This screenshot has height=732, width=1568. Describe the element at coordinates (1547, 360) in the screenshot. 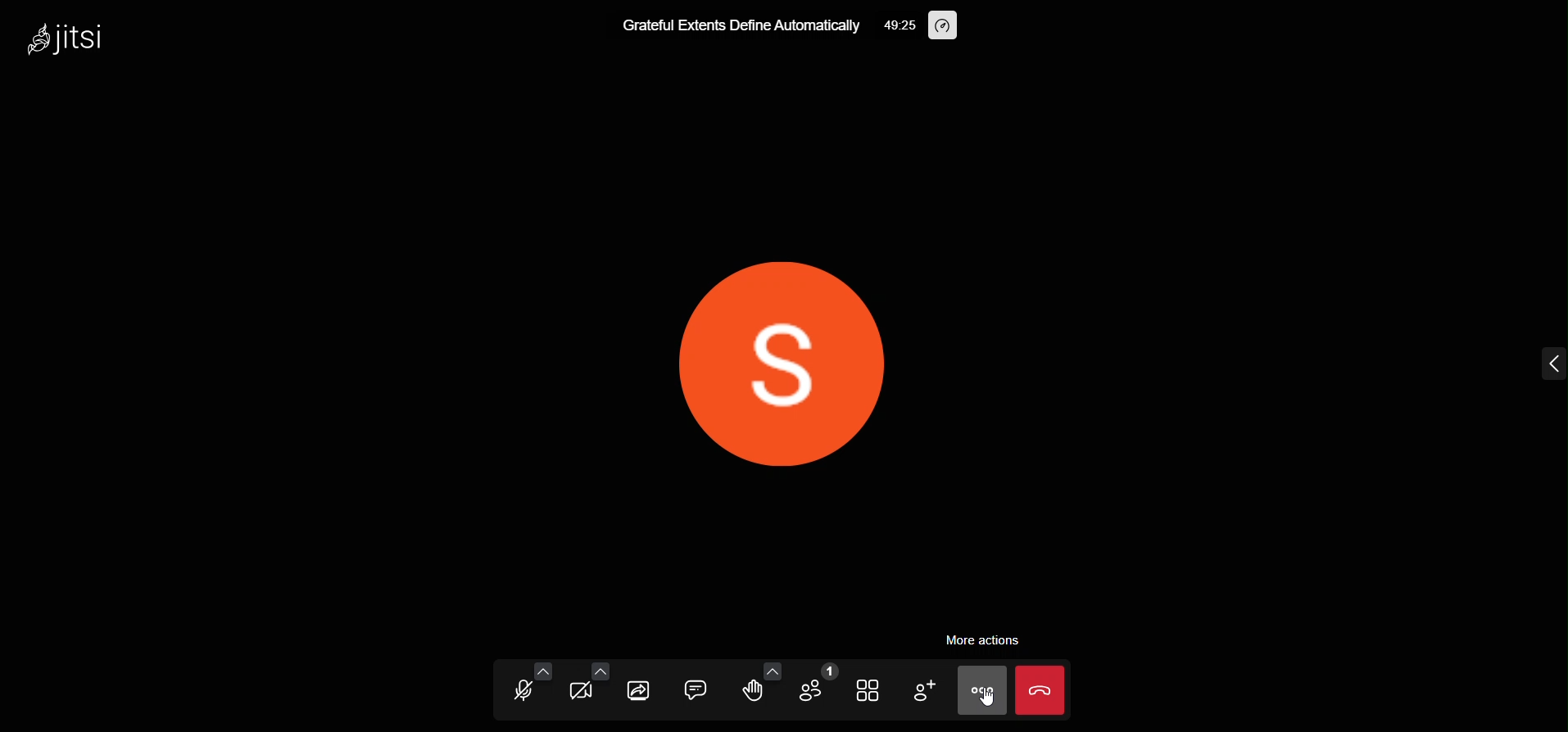

I see `expand` at that location.